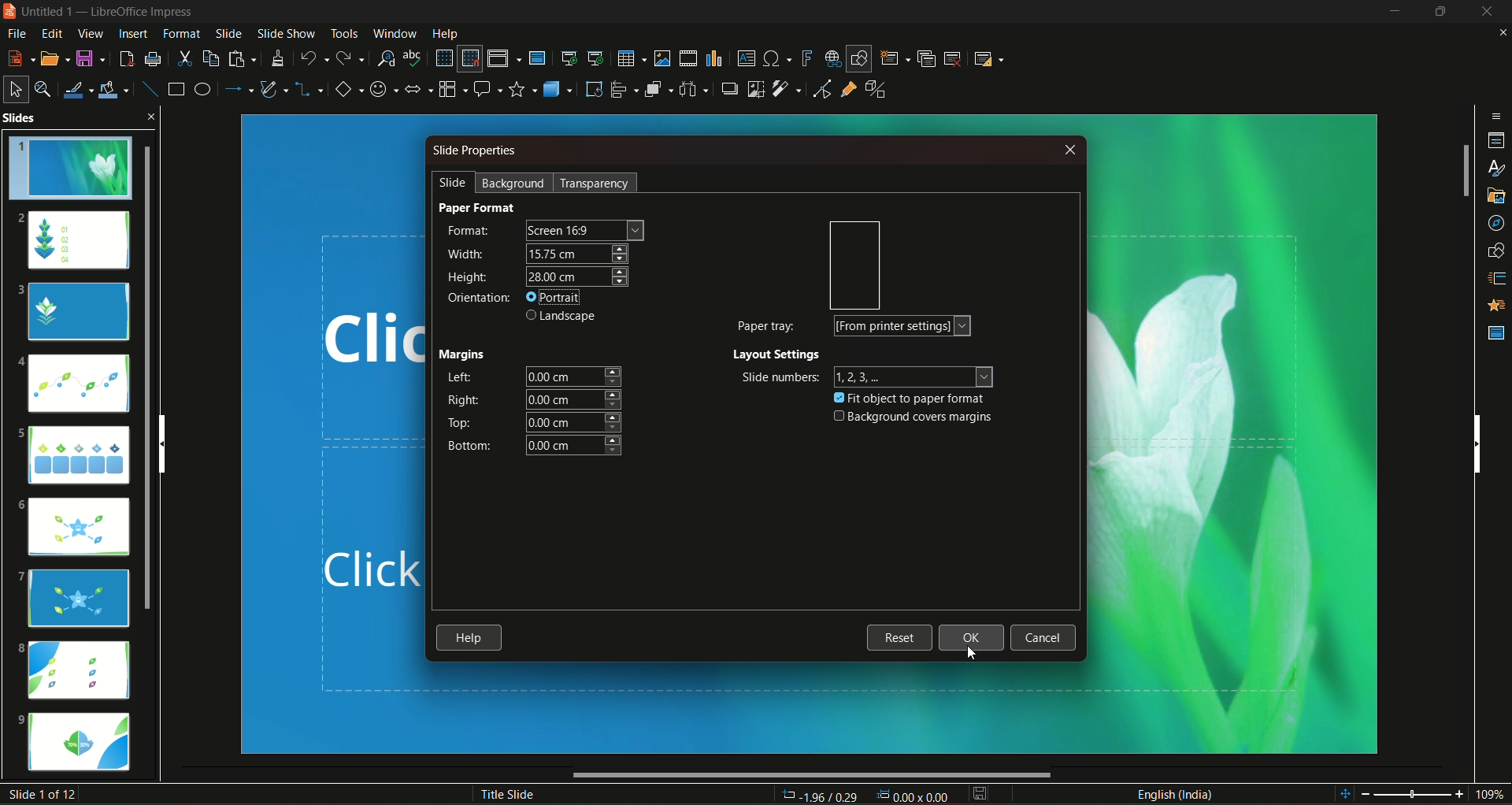 The height and width of the screenshot is (805, 1512). I want to click on format, so click(181, 33).